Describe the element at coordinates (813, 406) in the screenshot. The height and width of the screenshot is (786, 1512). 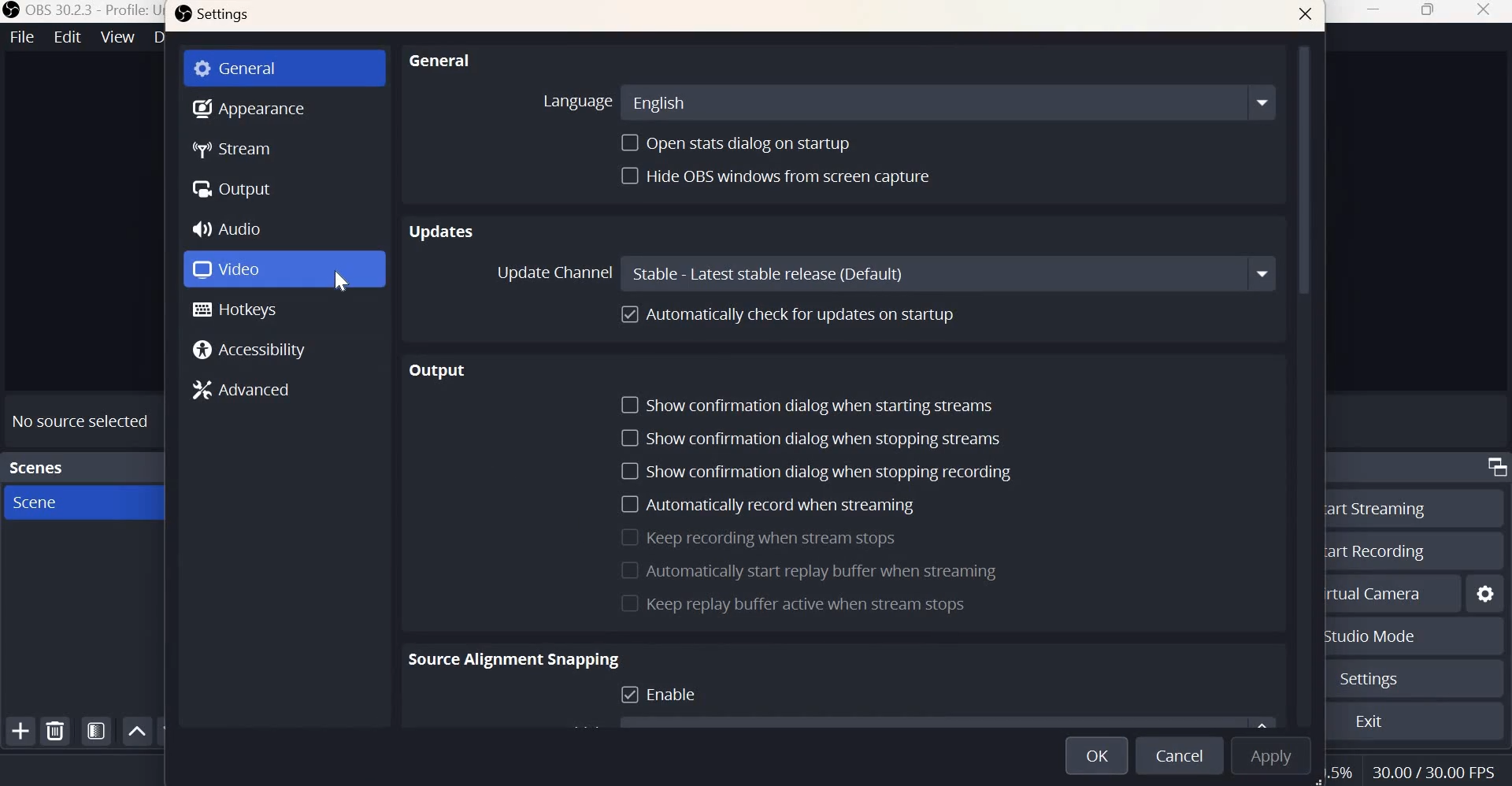
I see `Show confirmation dialog when starting streams` at that location.